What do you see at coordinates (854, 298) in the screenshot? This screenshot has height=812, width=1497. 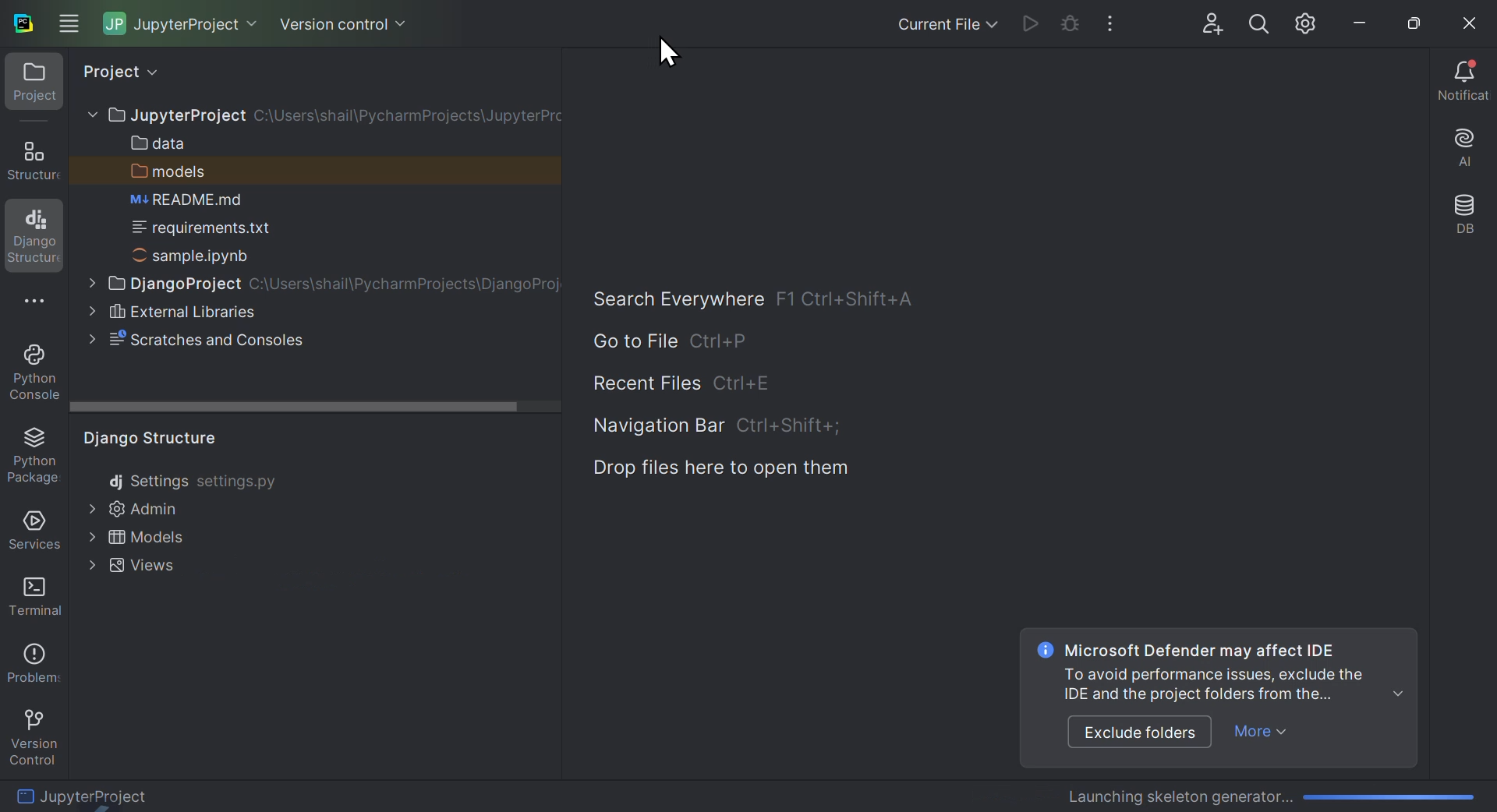 I see `shortcut` at bounding box center [854, 298].